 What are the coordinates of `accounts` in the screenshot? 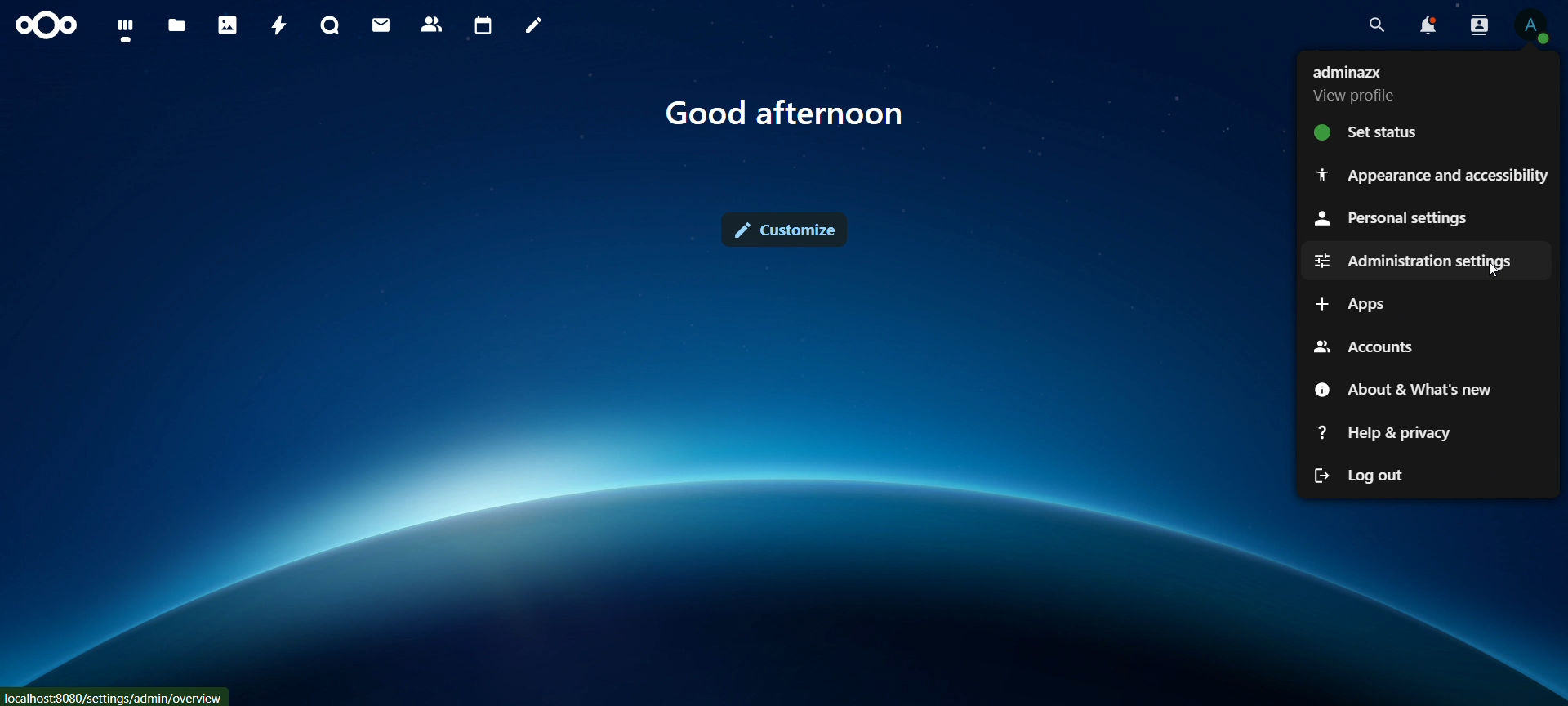 It's located at (1359, 346).